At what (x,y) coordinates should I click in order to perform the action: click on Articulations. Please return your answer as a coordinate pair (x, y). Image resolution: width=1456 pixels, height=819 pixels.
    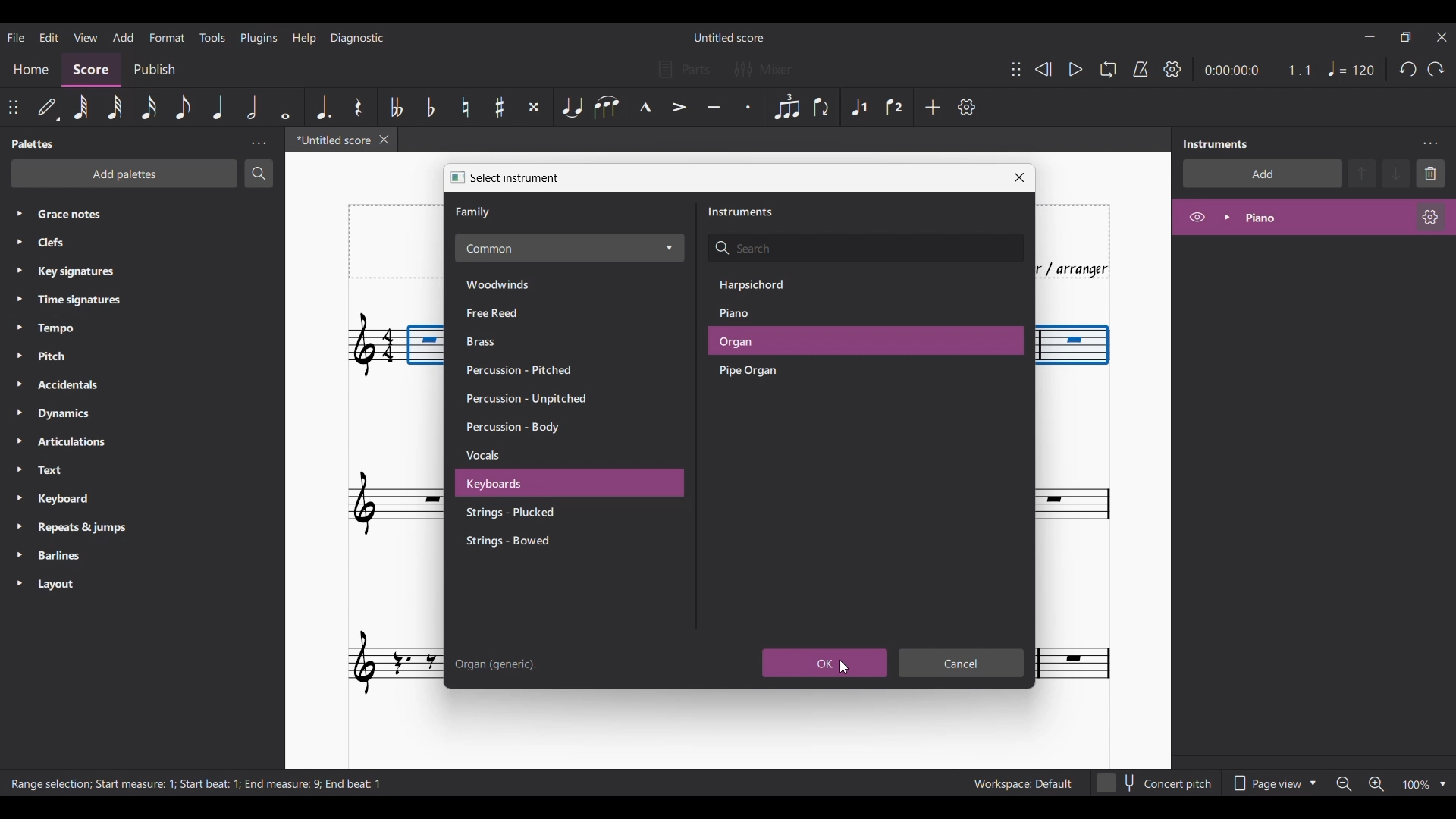
    Looking at the image, I should click on (85, 442).